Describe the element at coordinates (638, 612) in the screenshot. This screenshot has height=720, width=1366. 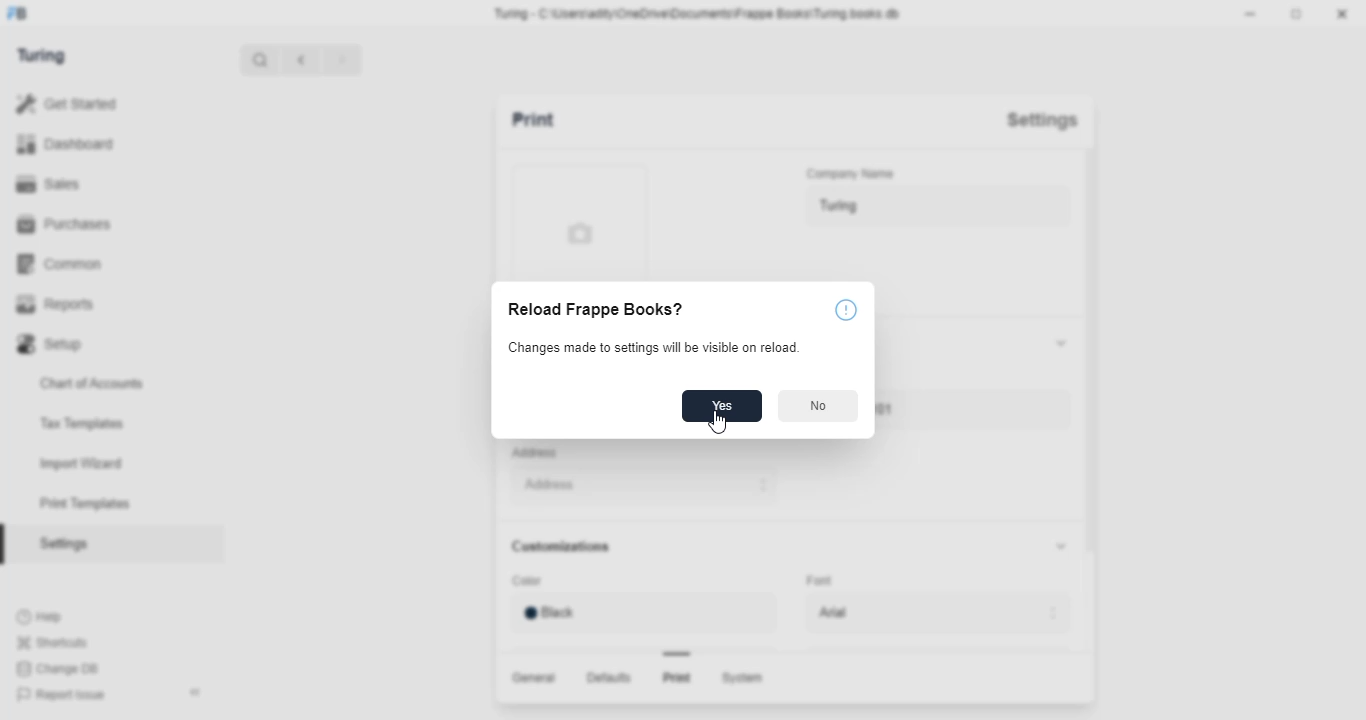
I see `Black` at that location.